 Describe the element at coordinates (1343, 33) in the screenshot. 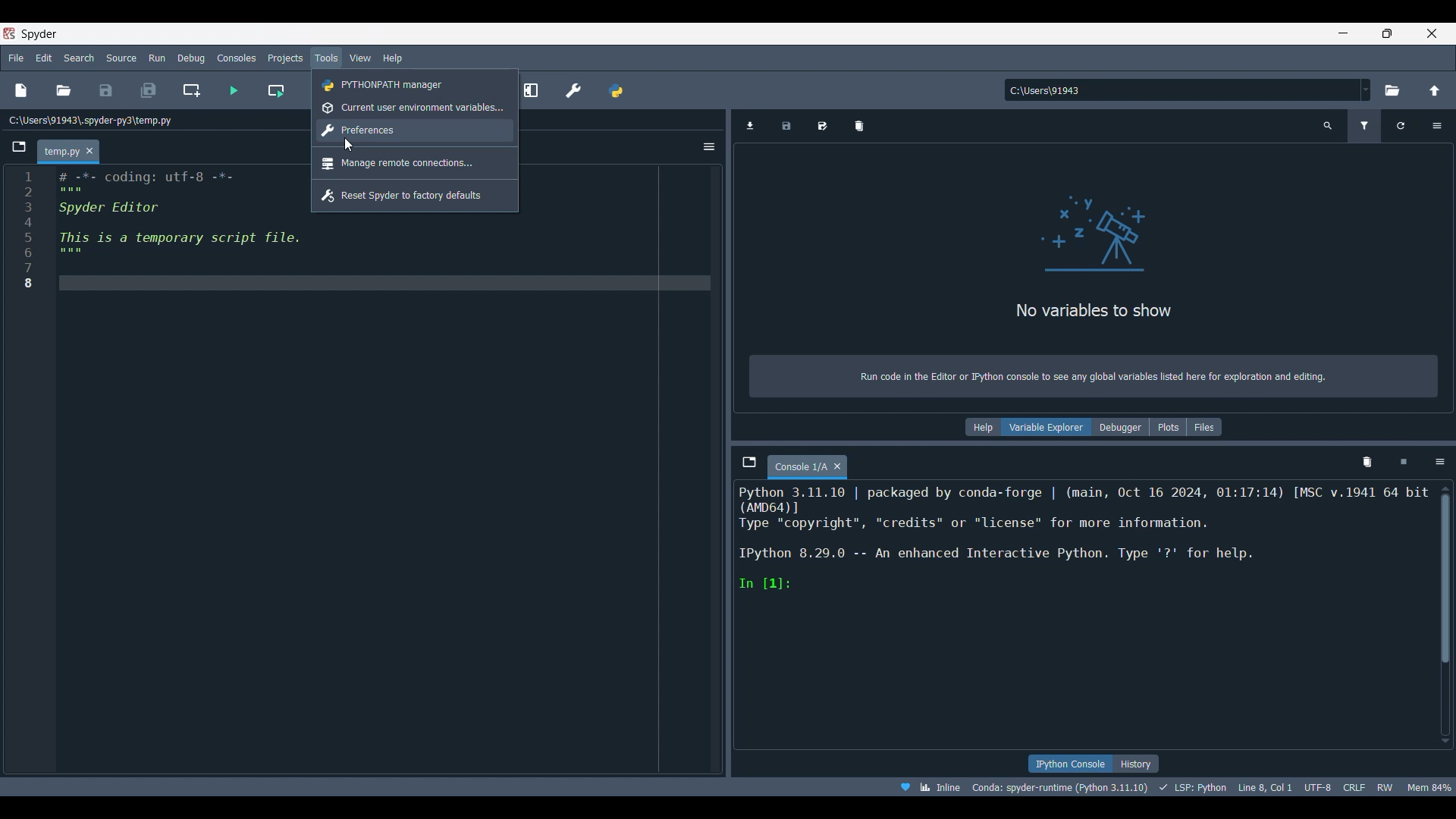

I see `Minimize` at that location.